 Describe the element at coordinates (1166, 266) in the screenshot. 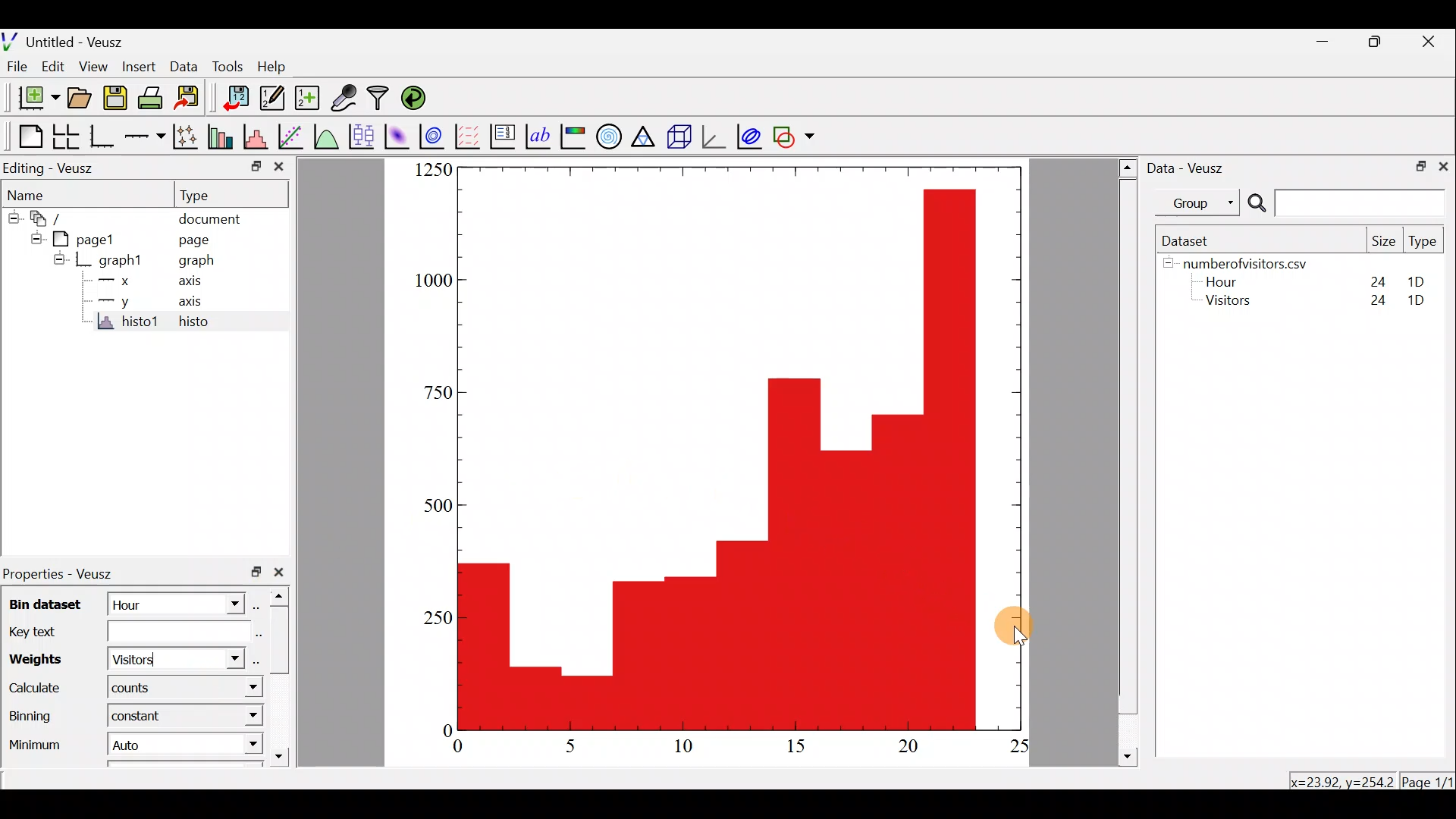

I see `hide sub menu` at that location.